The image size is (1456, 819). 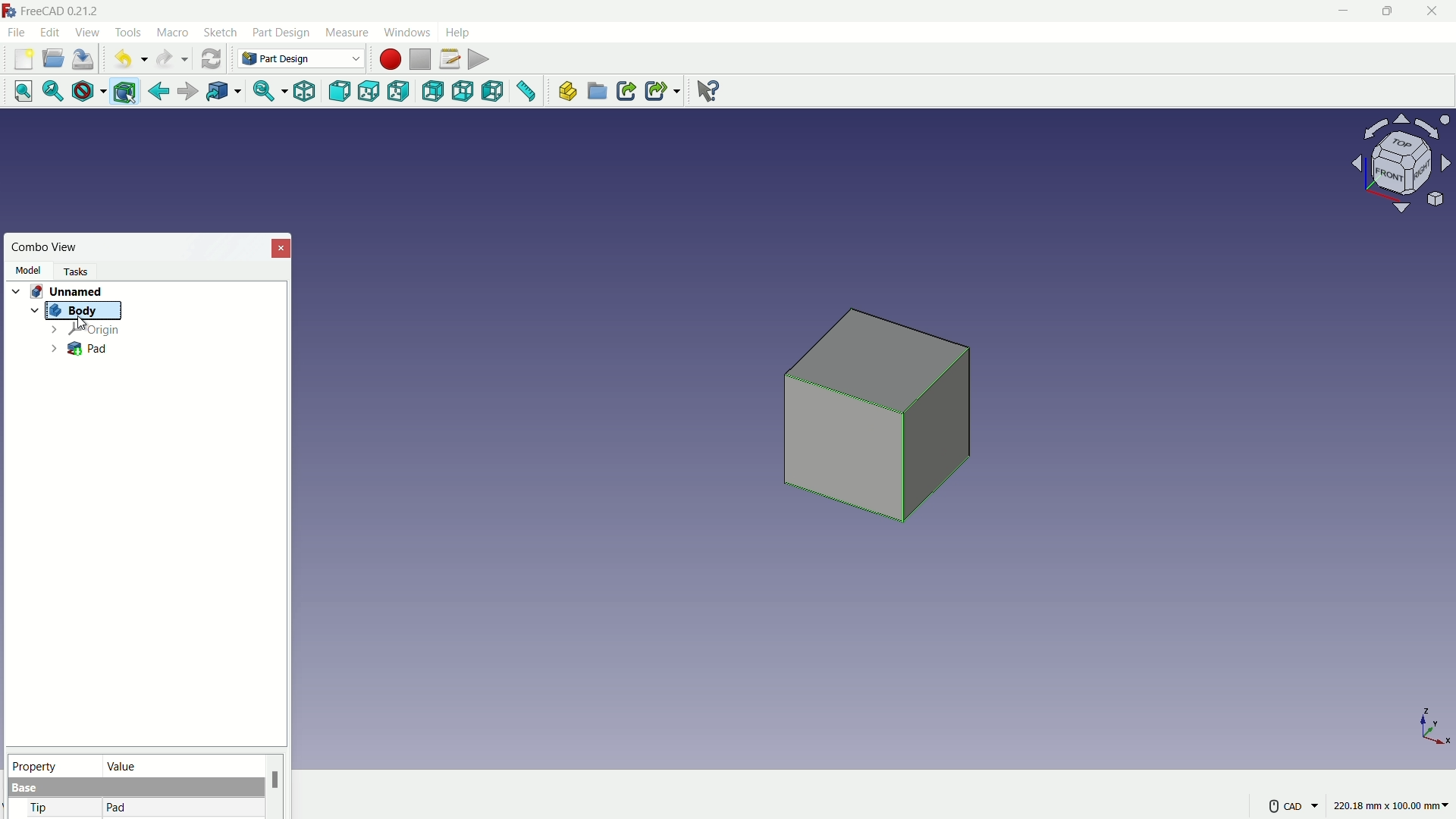 I want to click on save file, so click(x=85, y=60).